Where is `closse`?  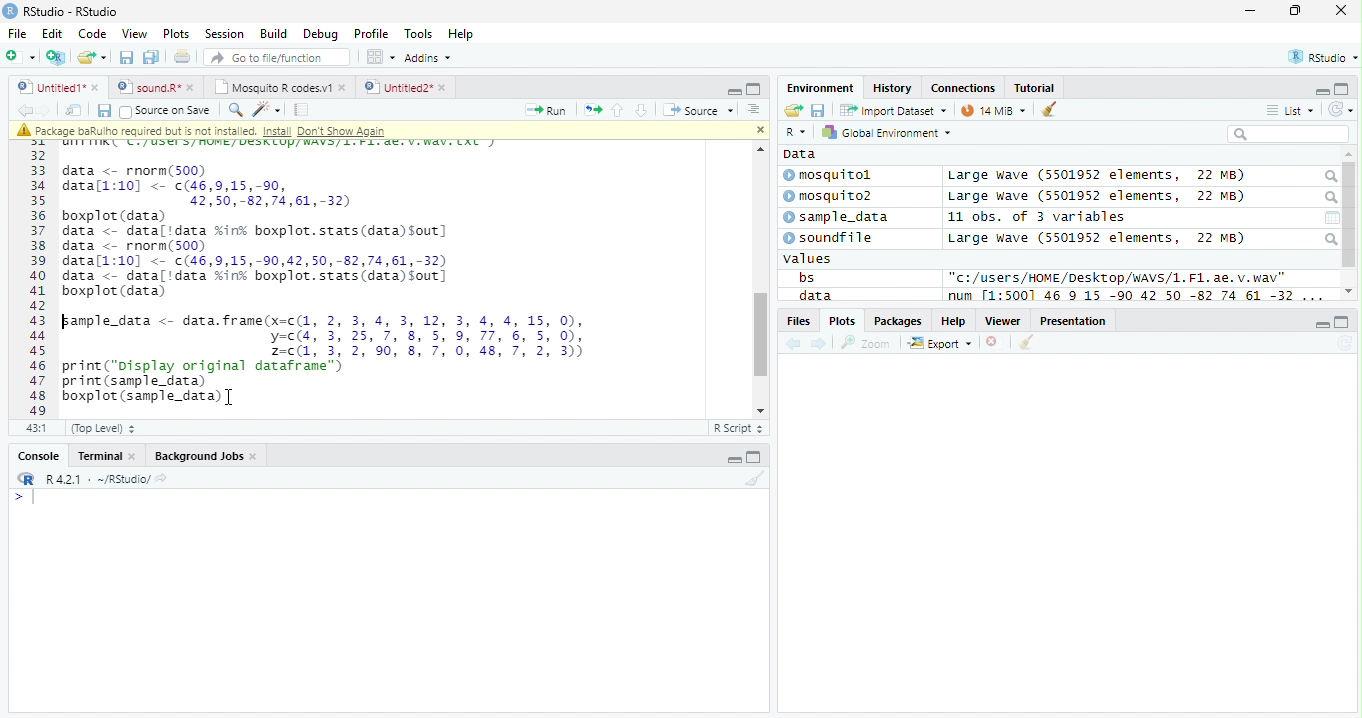
closse is located at coordinates (1342, 10).